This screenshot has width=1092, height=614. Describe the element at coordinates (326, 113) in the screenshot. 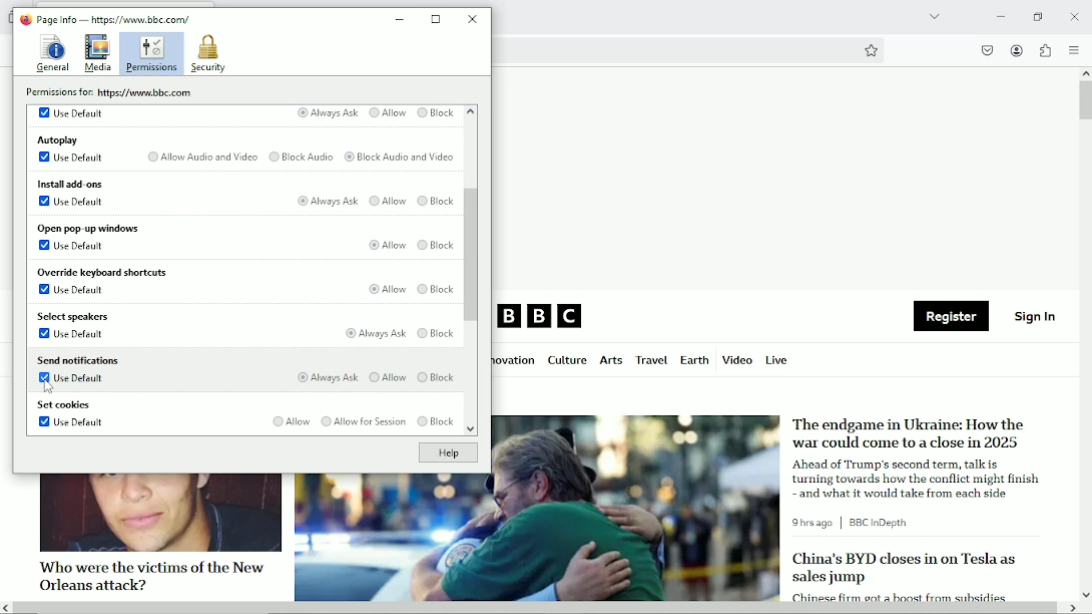

I see `Always ask` at that location.